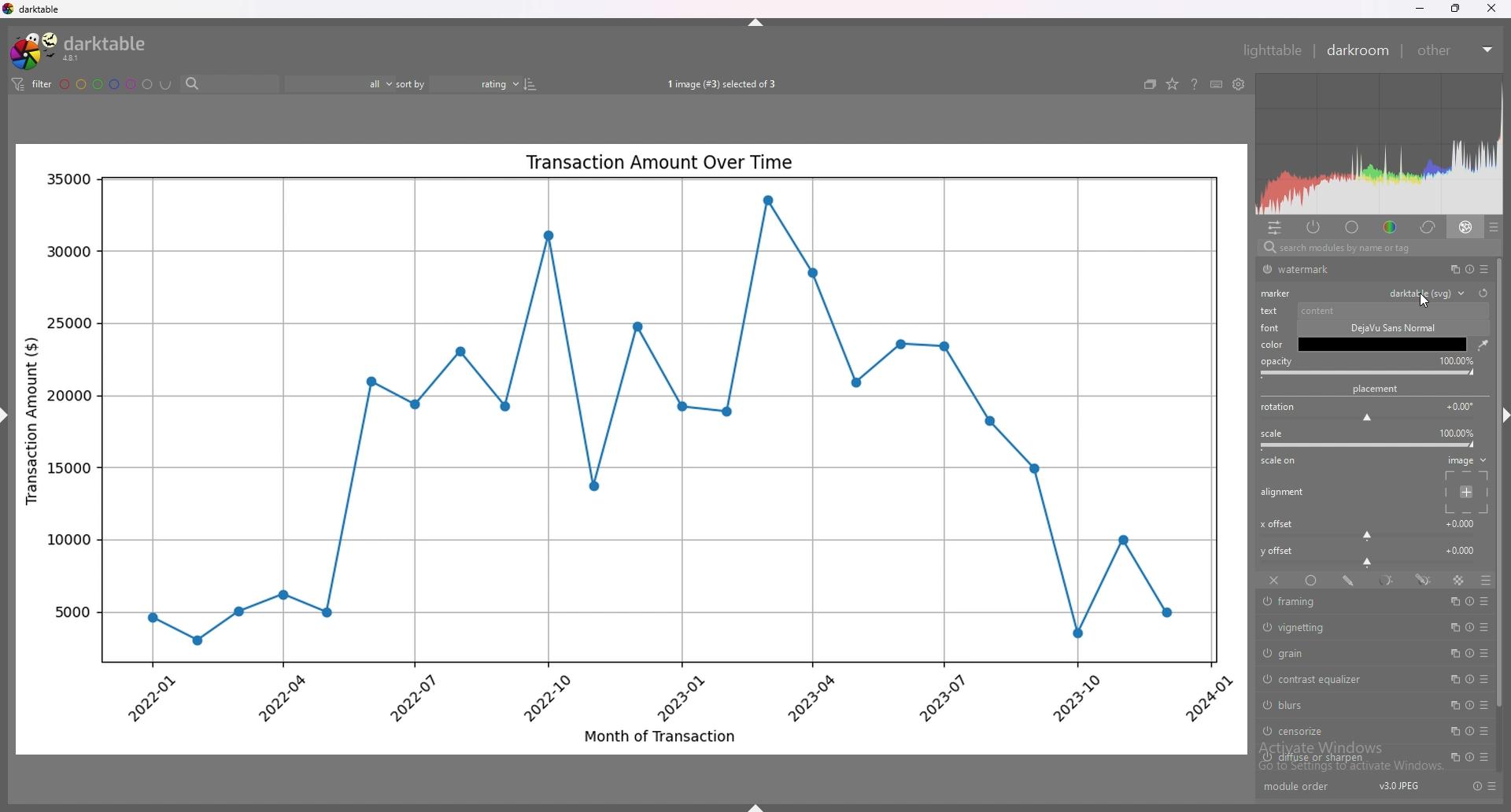 This screenshot has height=812, width=1511. What do you see at coordinates (1466, 756) in the screenshot?
I see `reset` at bounding box center [1466, 756].